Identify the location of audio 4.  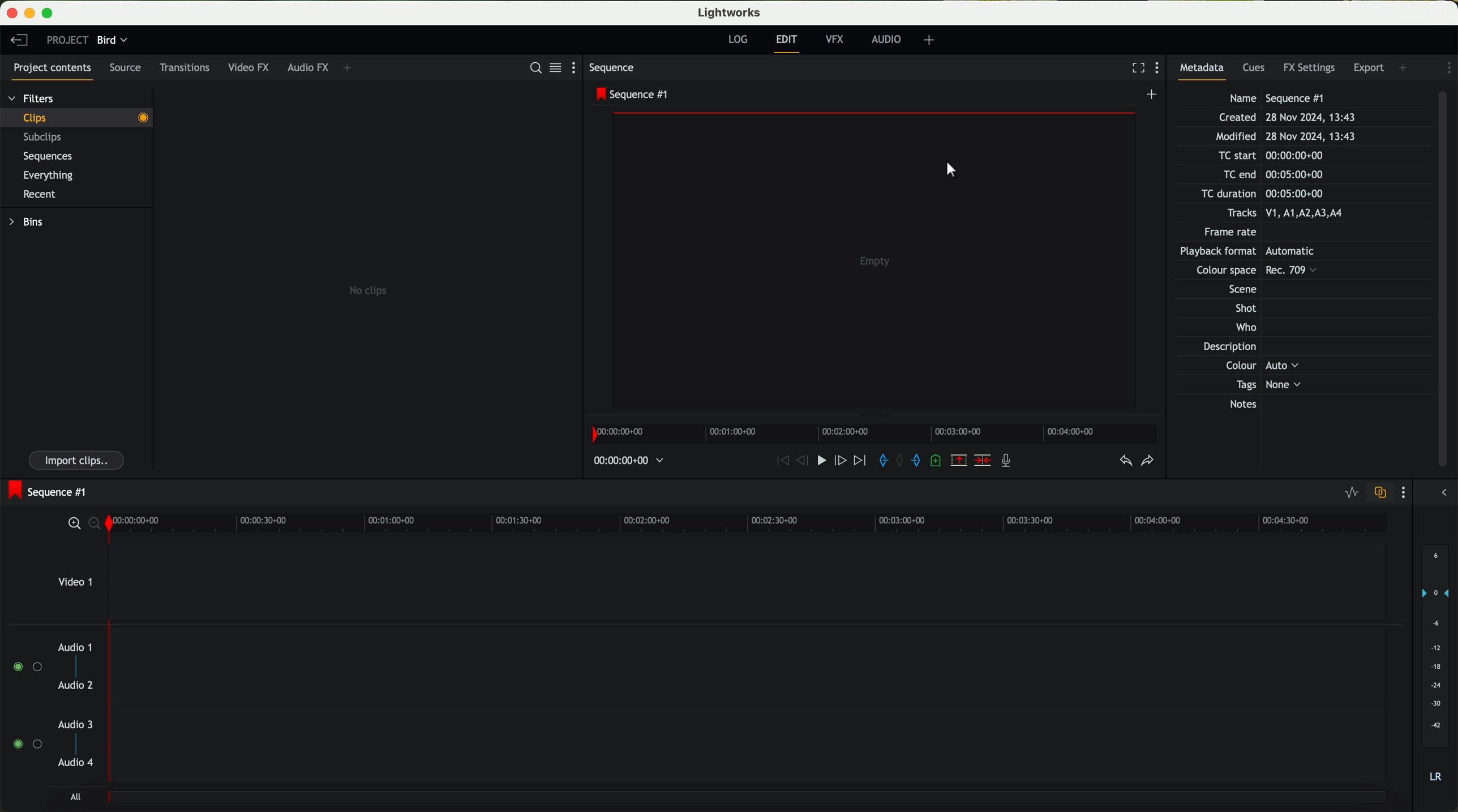
(76, 766).